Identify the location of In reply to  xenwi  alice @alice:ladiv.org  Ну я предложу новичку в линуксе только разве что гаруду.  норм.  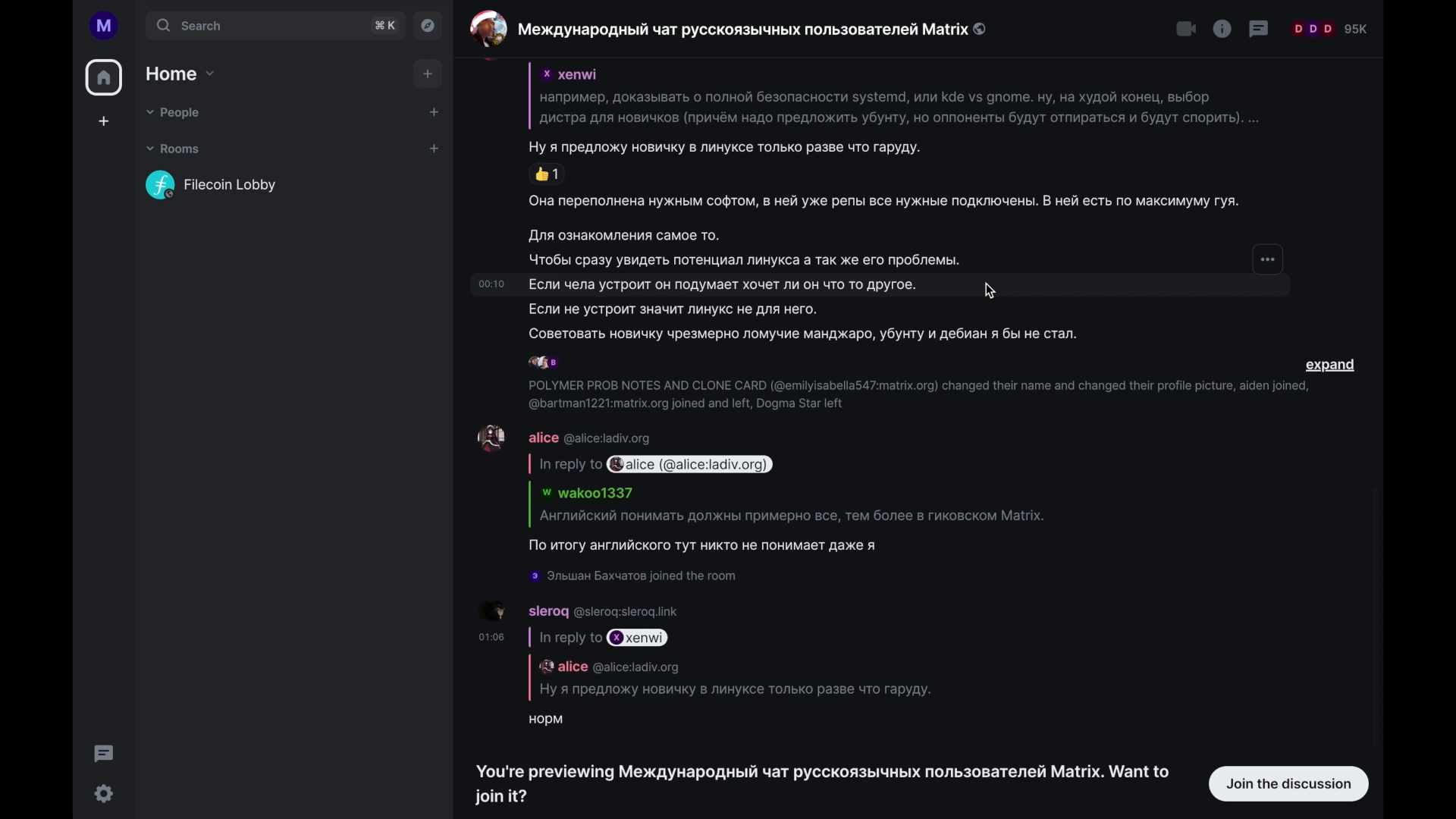
(732, 676).